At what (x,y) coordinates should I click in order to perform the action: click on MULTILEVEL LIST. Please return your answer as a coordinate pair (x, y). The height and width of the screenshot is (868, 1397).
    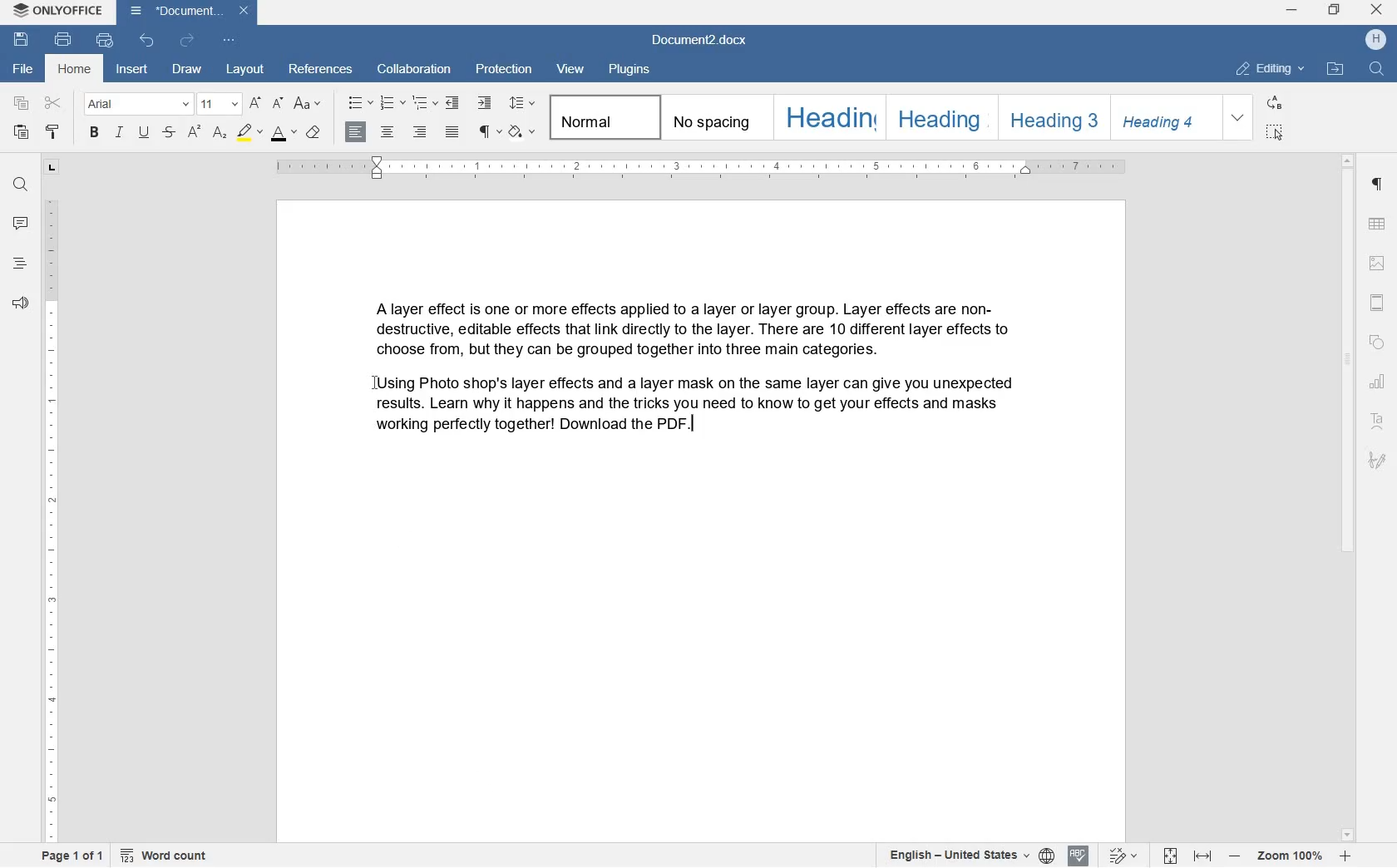
    Looking at the image, I should click on (423, 102).